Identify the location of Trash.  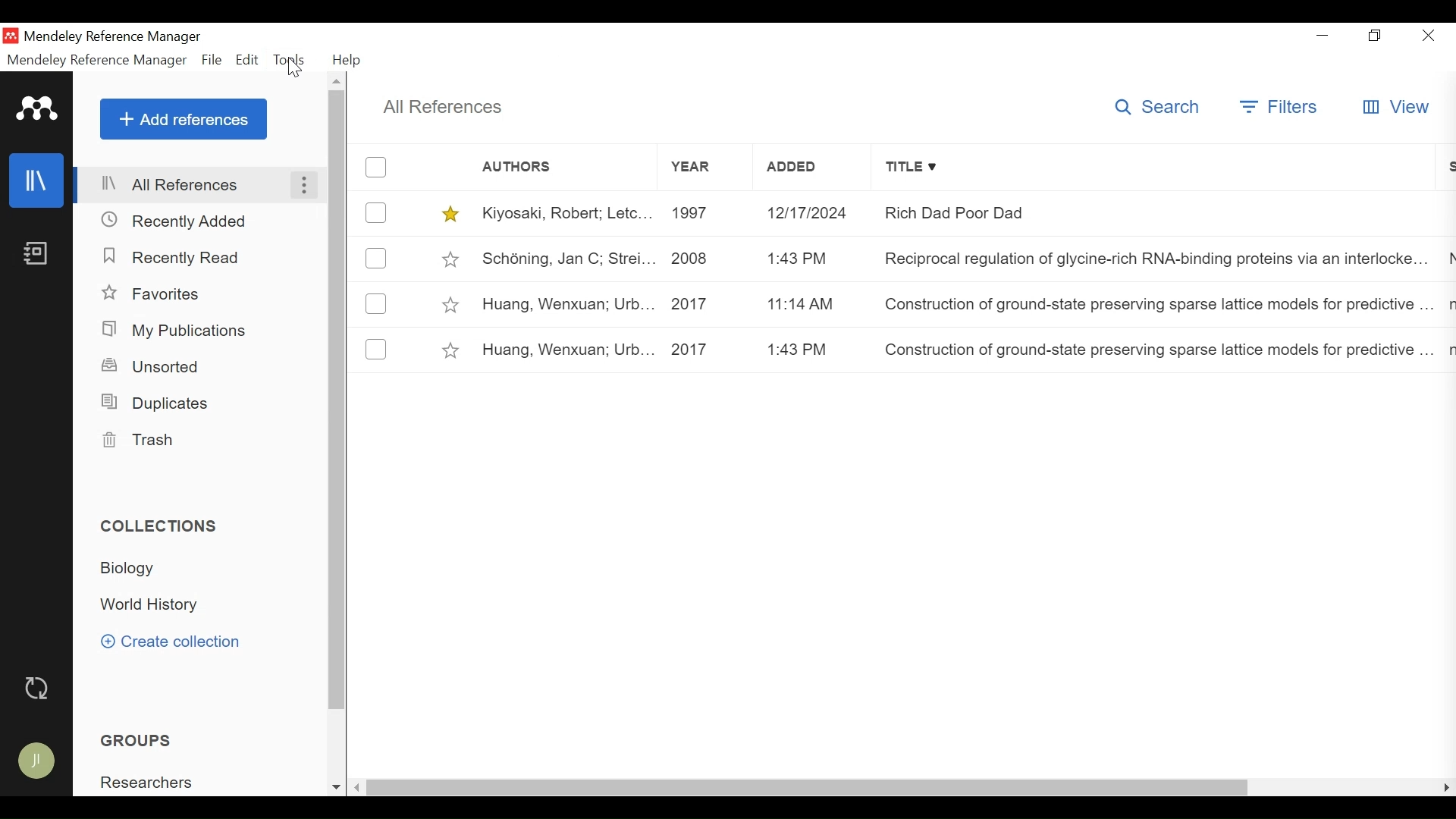
(135, 439).